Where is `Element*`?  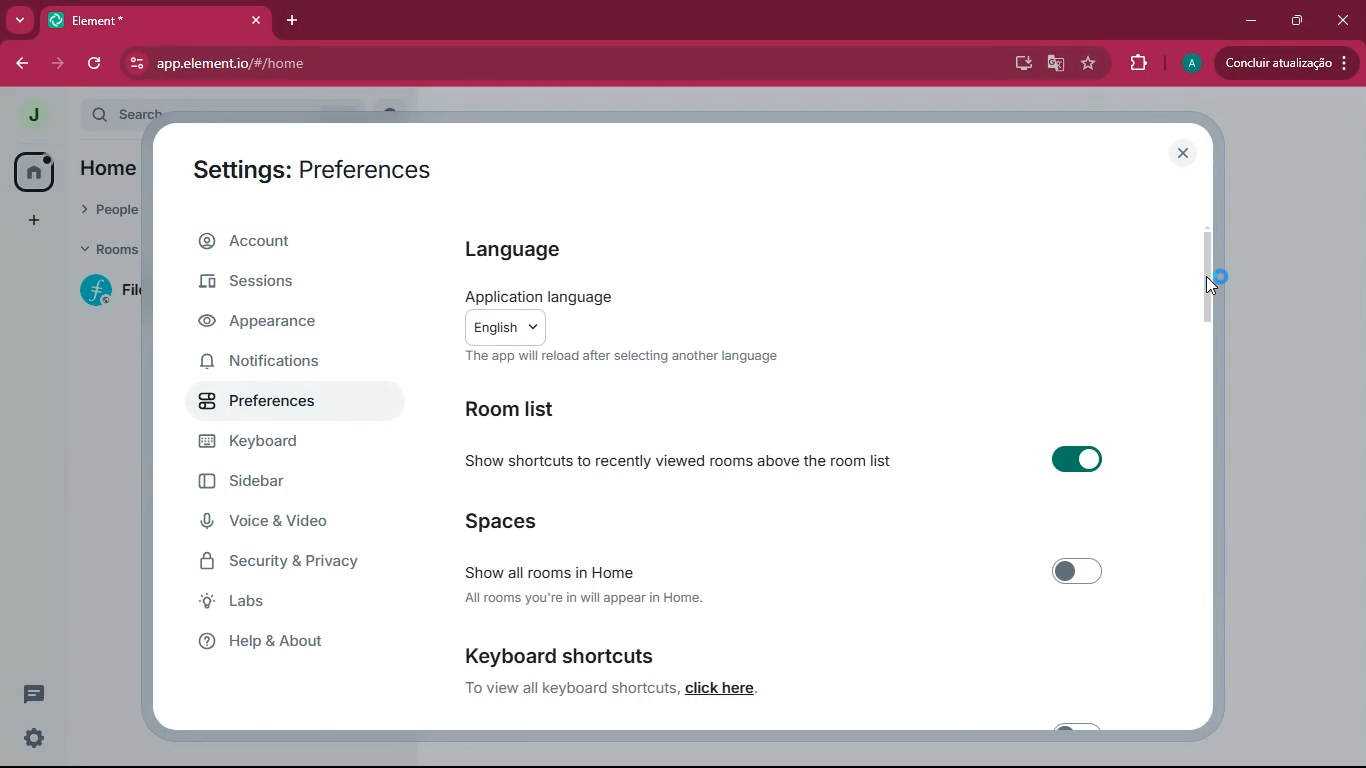 Element* is located at coordinates (127, 20).